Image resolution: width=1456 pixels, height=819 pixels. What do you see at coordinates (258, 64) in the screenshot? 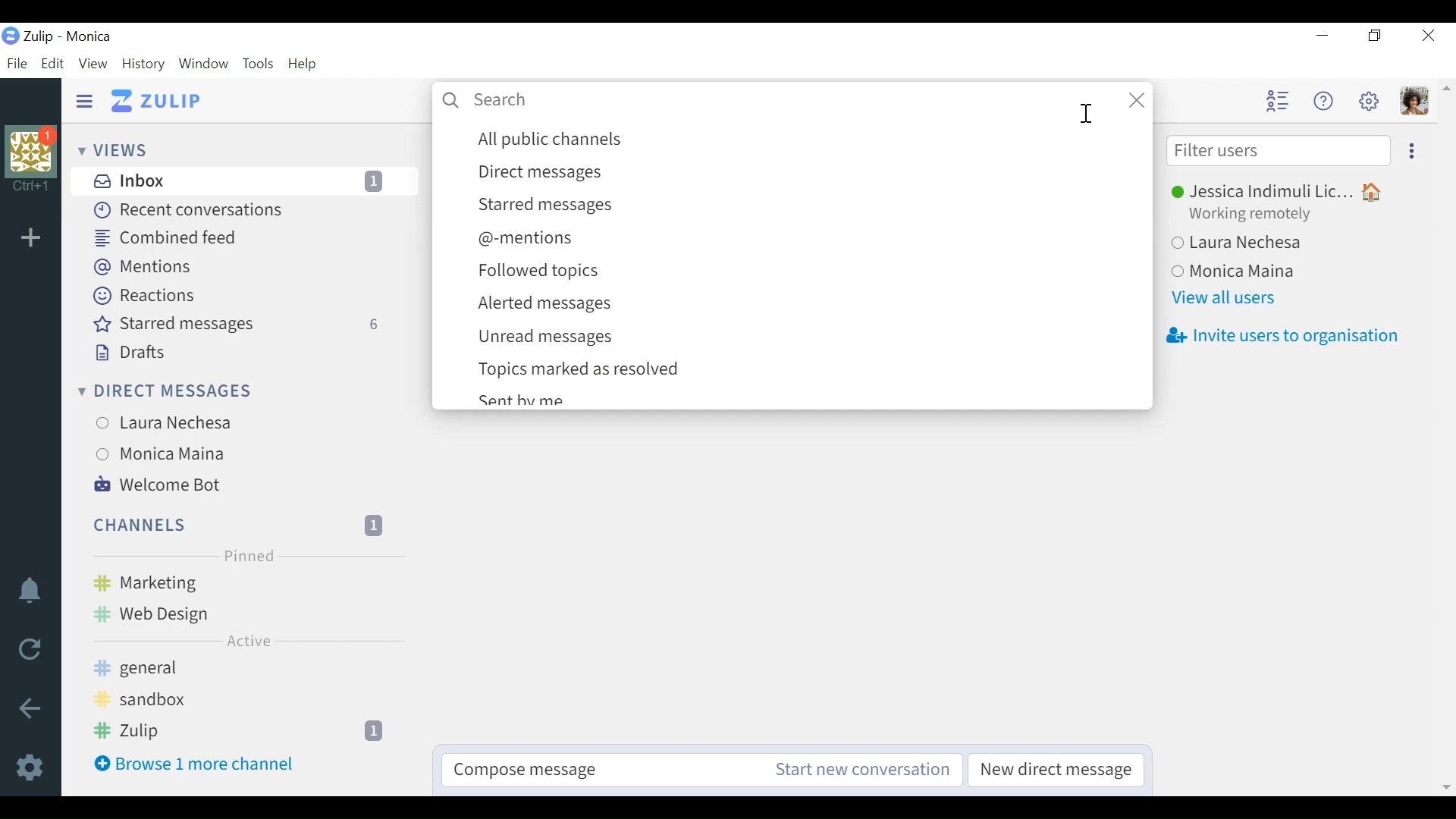
I see `Tools` at bounding box center [258, 64].